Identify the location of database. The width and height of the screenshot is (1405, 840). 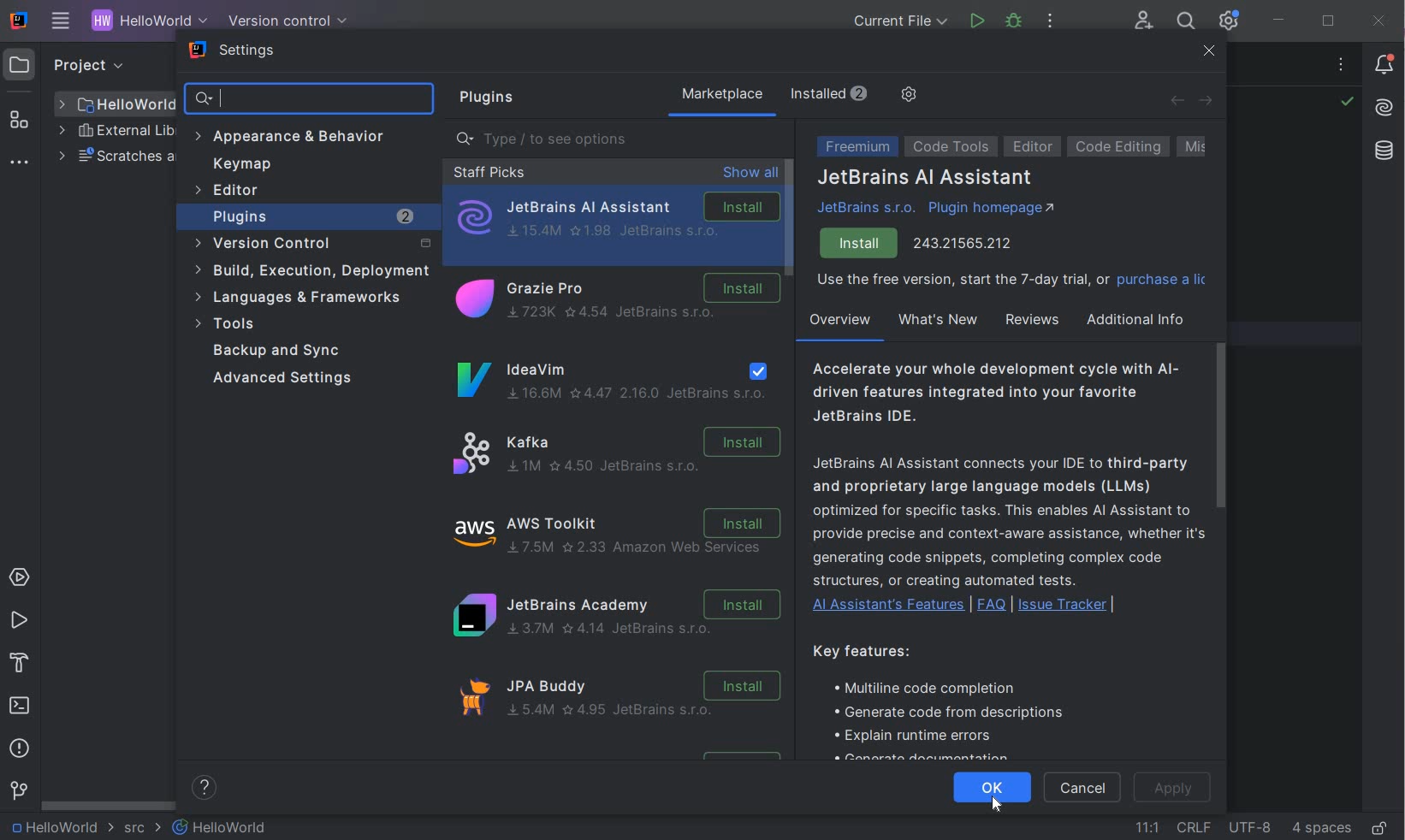
(1383, 153).